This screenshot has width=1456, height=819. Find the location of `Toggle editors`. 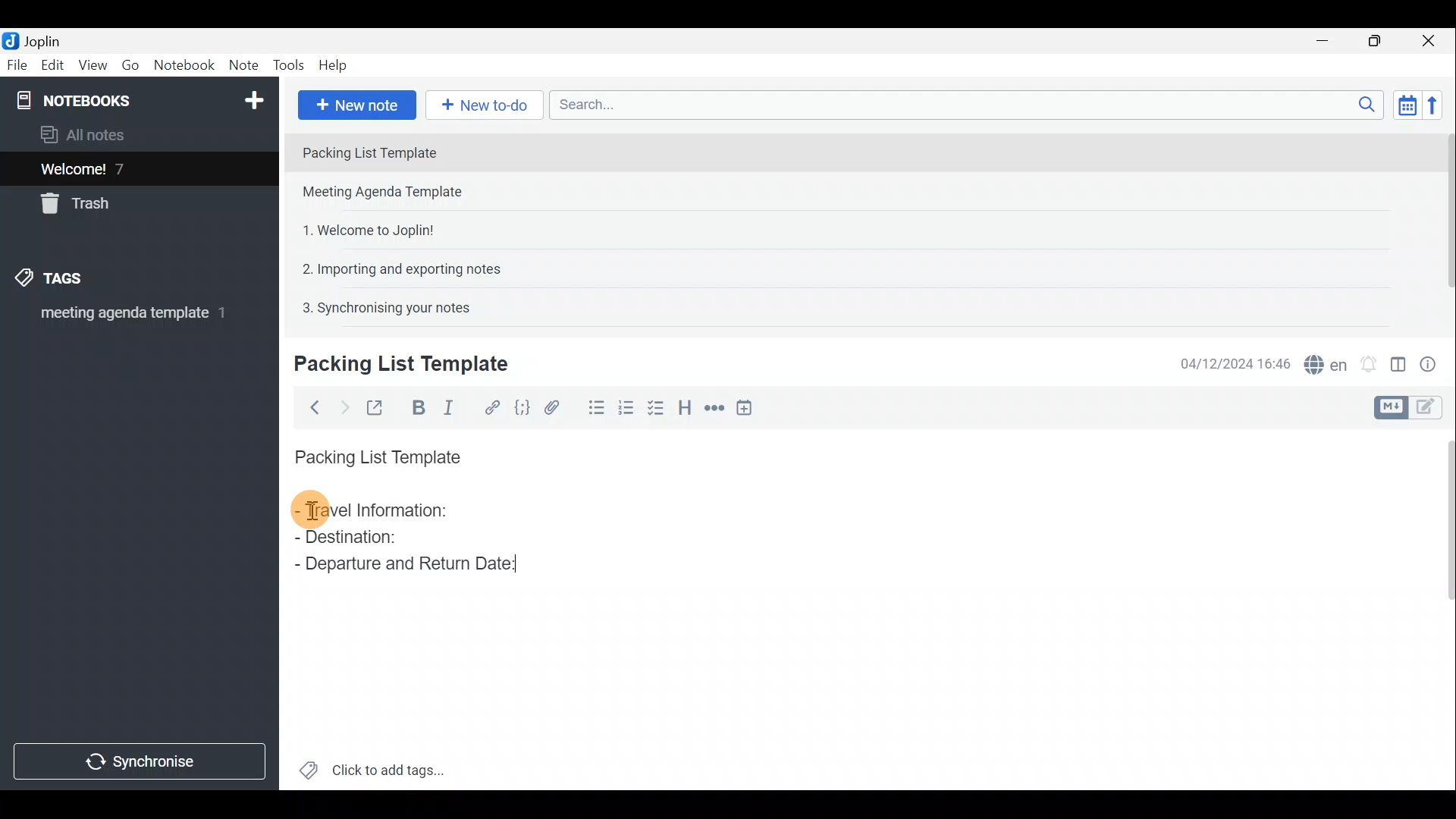

Toggle editors is located at coordinates (1393, 406).